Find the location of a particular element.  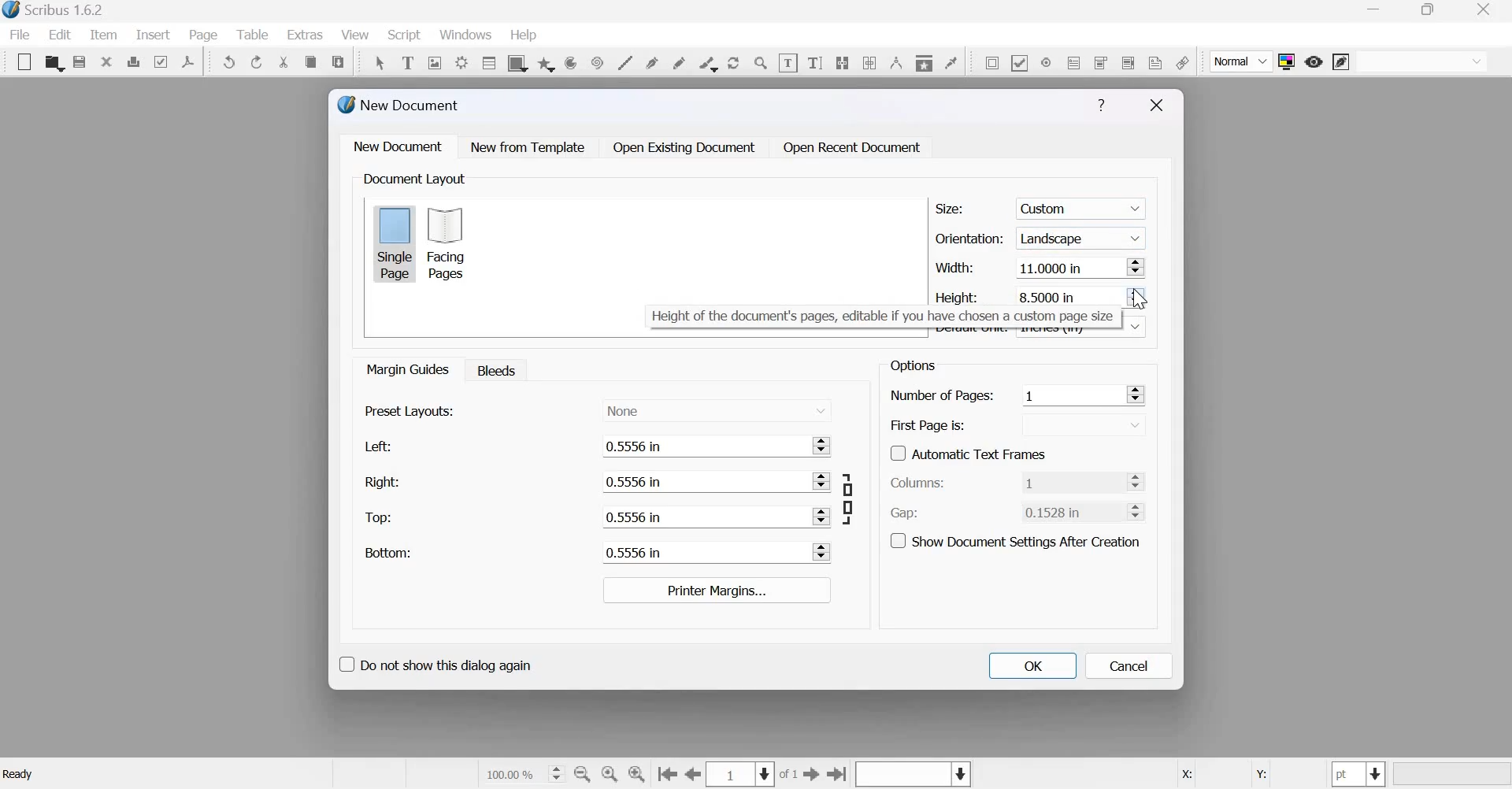

Printer margins is located at coordinates (715, 590).